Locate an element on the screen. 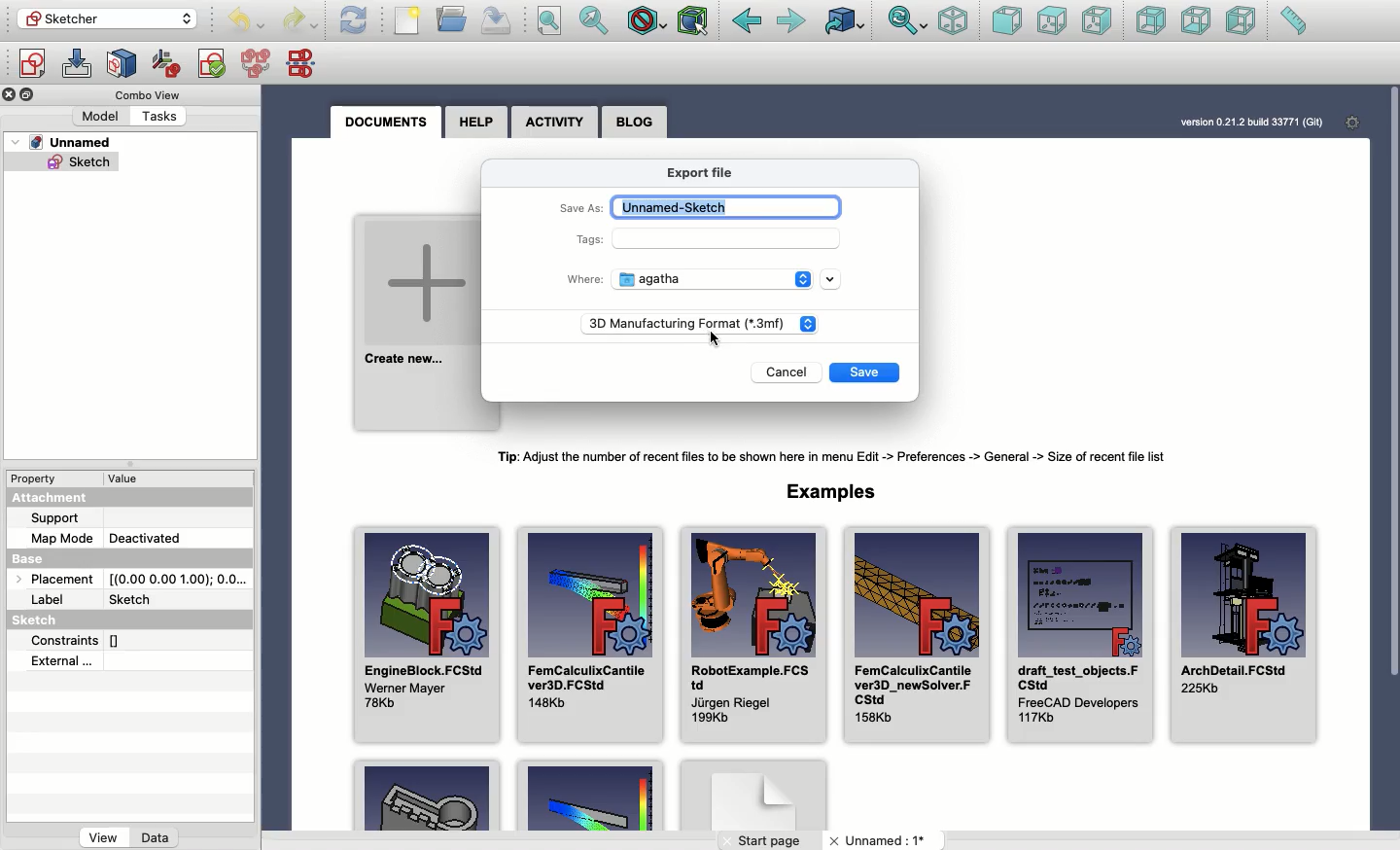 Image resolution: width=1400 pixels, height=850 pixels. Left is located at coordinates (1242, 23).